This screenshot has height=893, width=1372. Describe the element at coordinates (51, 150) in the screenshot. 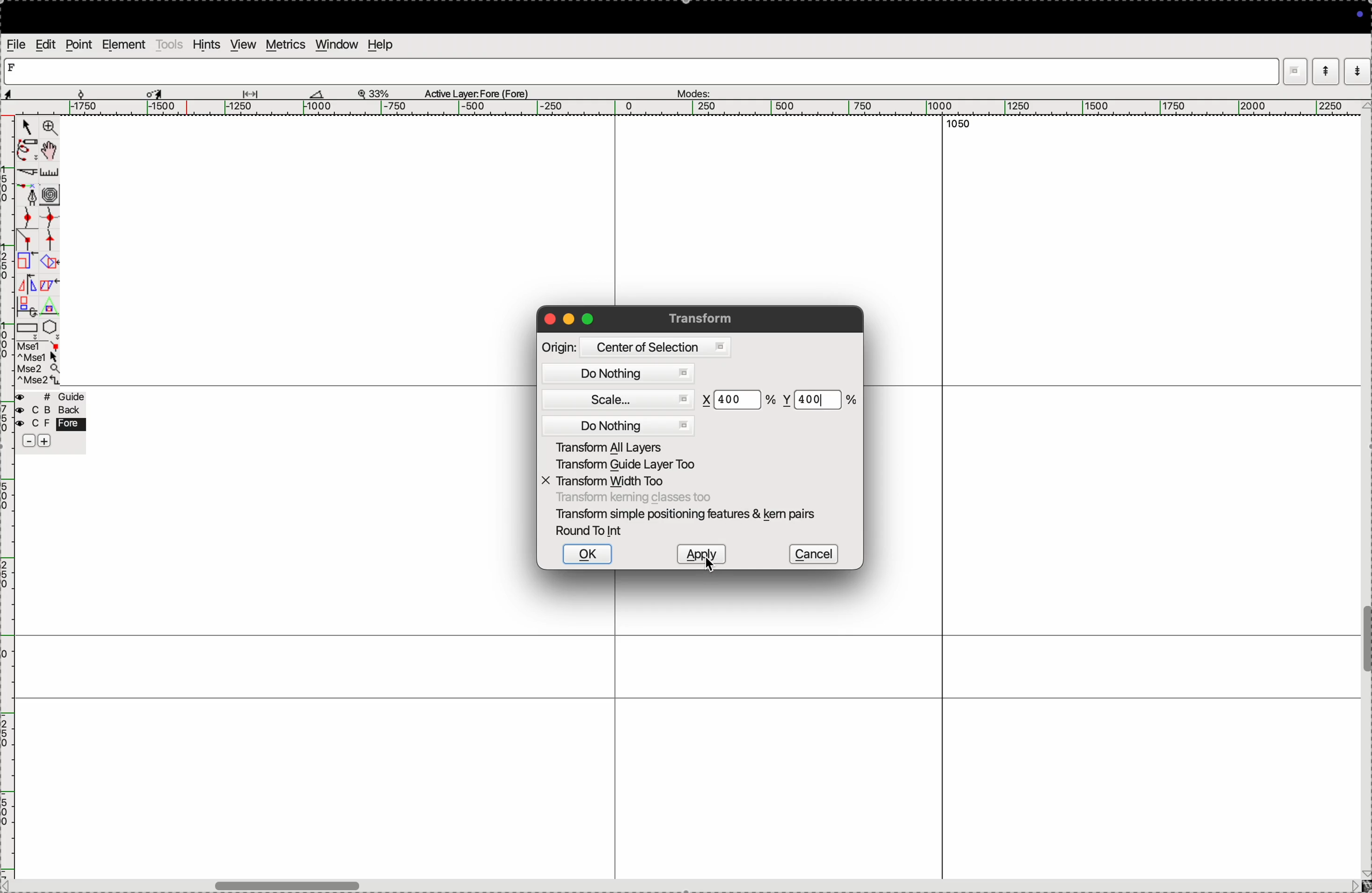

I see `toggle` at that location.